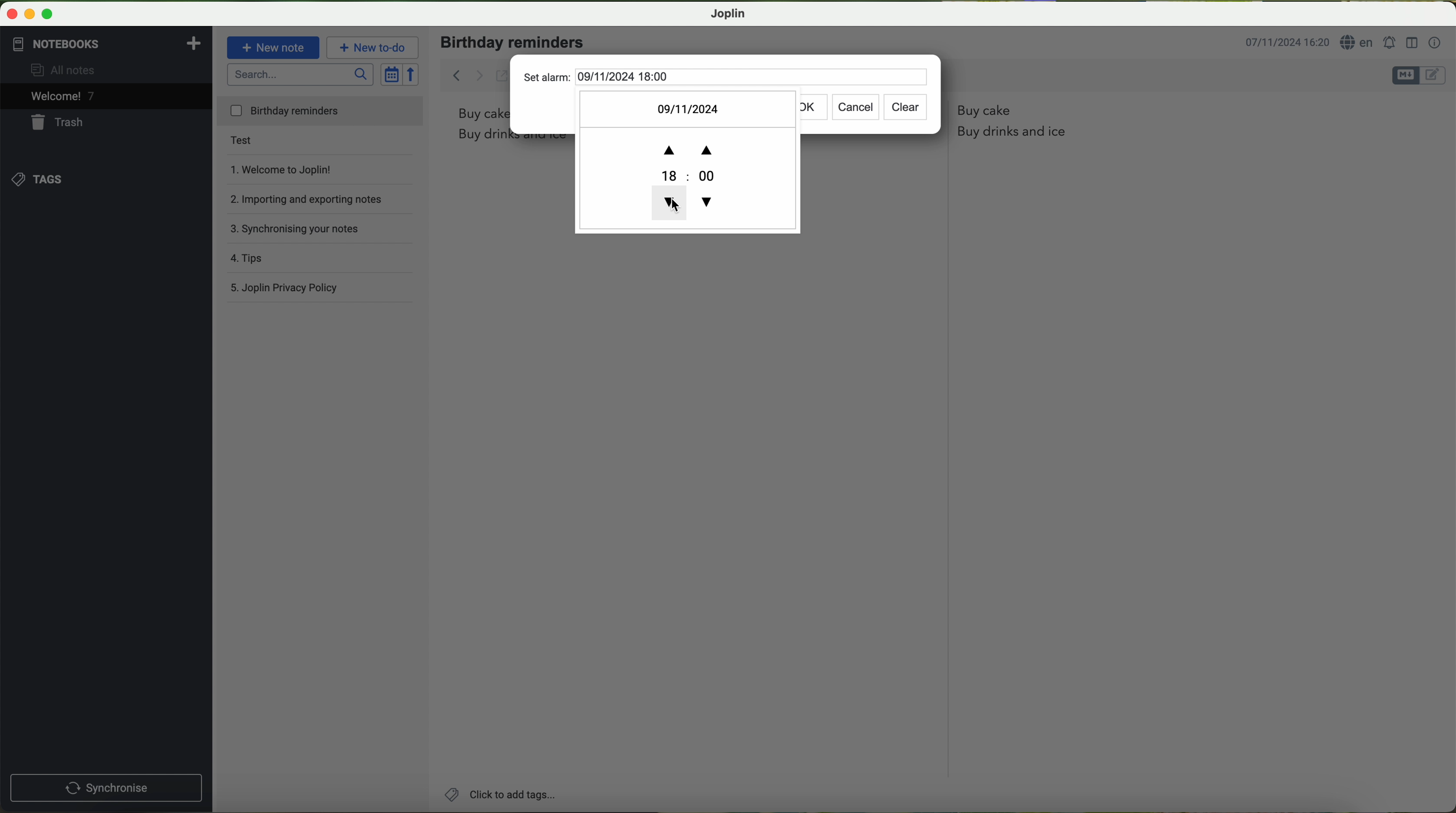 The height and width of the screenshot is (813, 1456). What do you see at coordinates (697, 106) in the screenshot?
I see `09/11/2024` at bounding box center [697, 106].